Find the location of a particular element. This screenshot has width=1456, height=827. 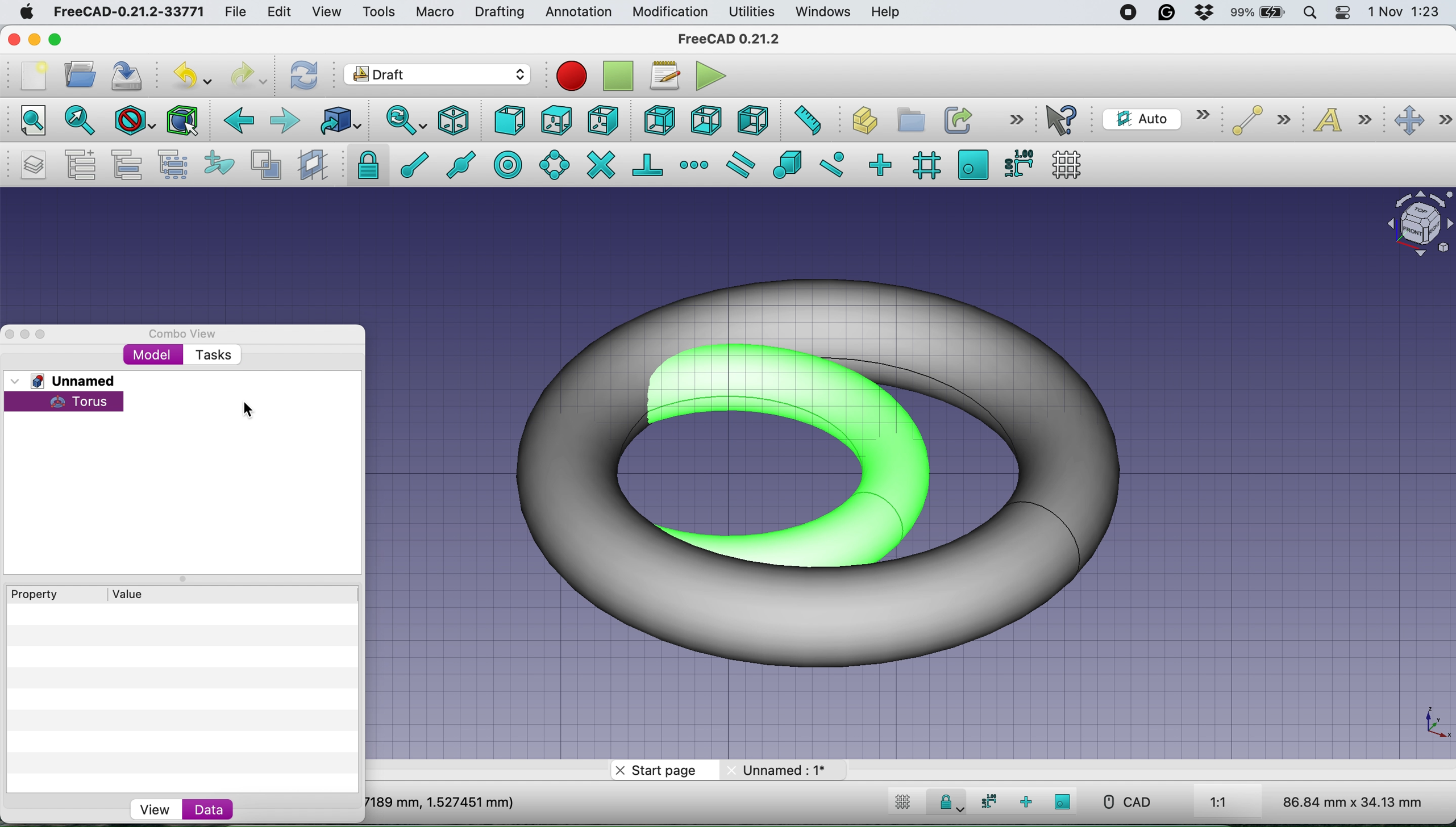

fit all is located at coordinates (30, 122).